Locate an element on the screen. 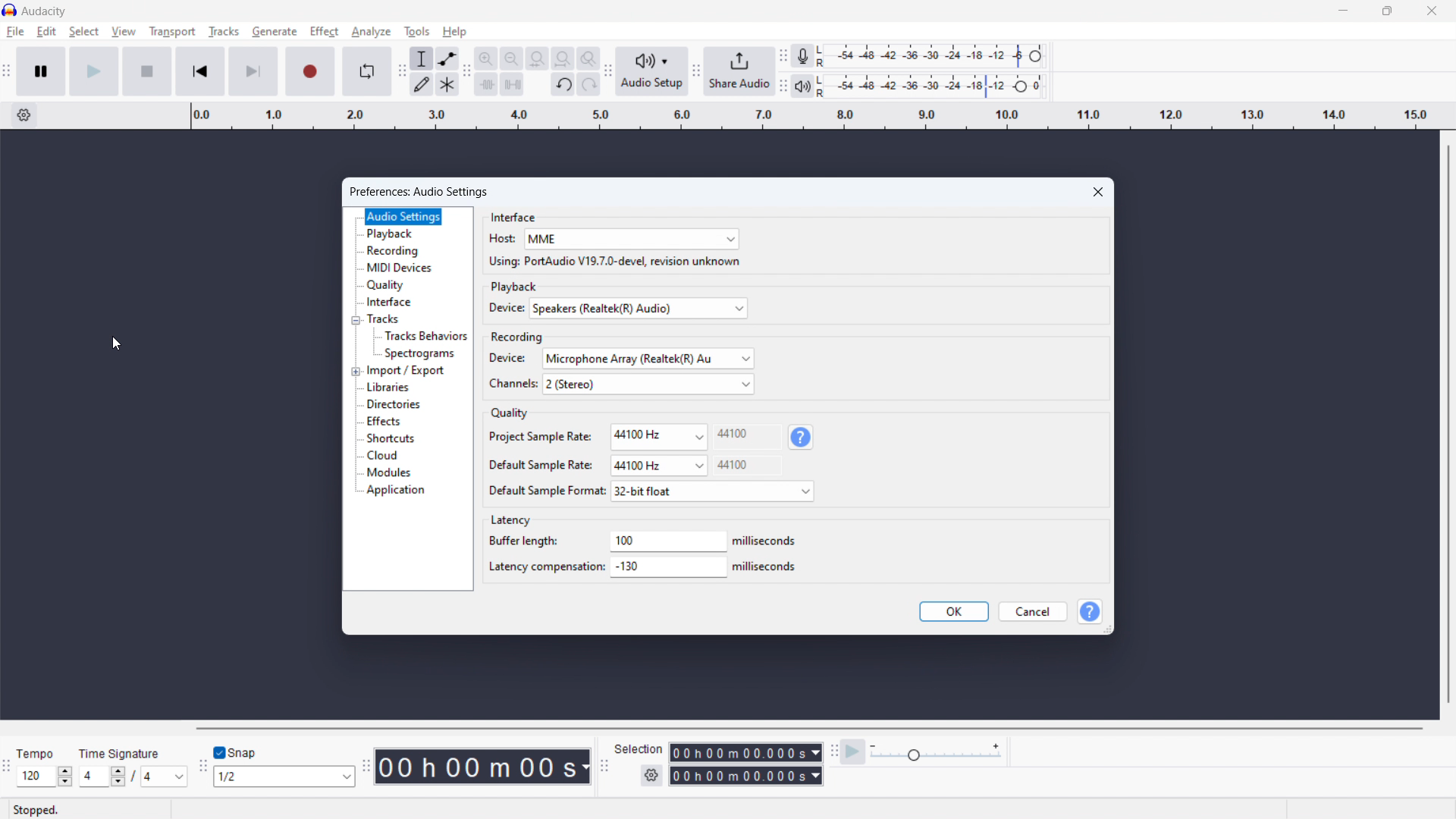 The height and width of the screenshot is (819, 1456). playback is located at coordinates (516, 287).